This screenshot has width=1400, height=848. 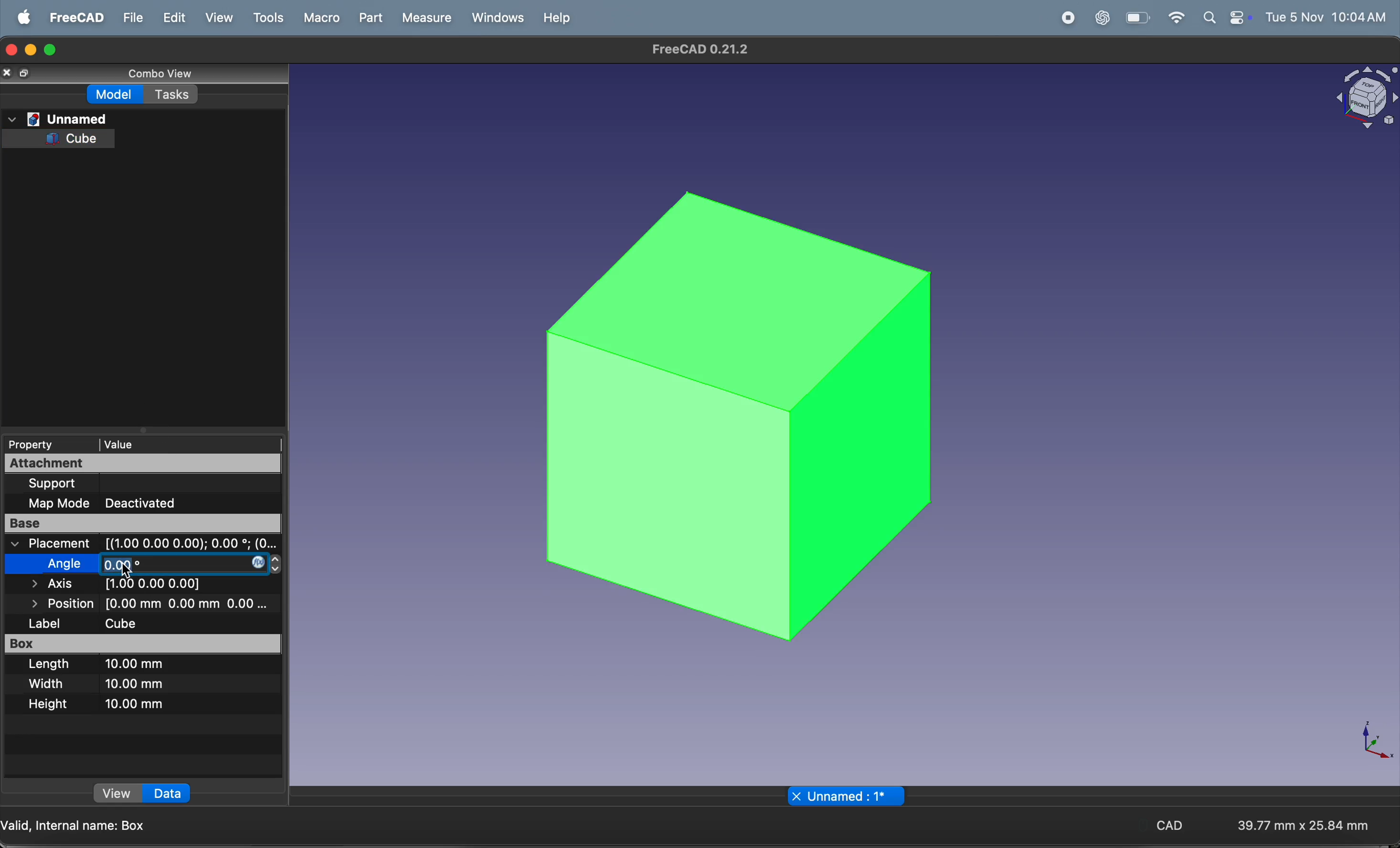 What do you see at coordinates (1377, 742) in the screenshot?
I see `axis compass` at bounding box center [1377, 742].